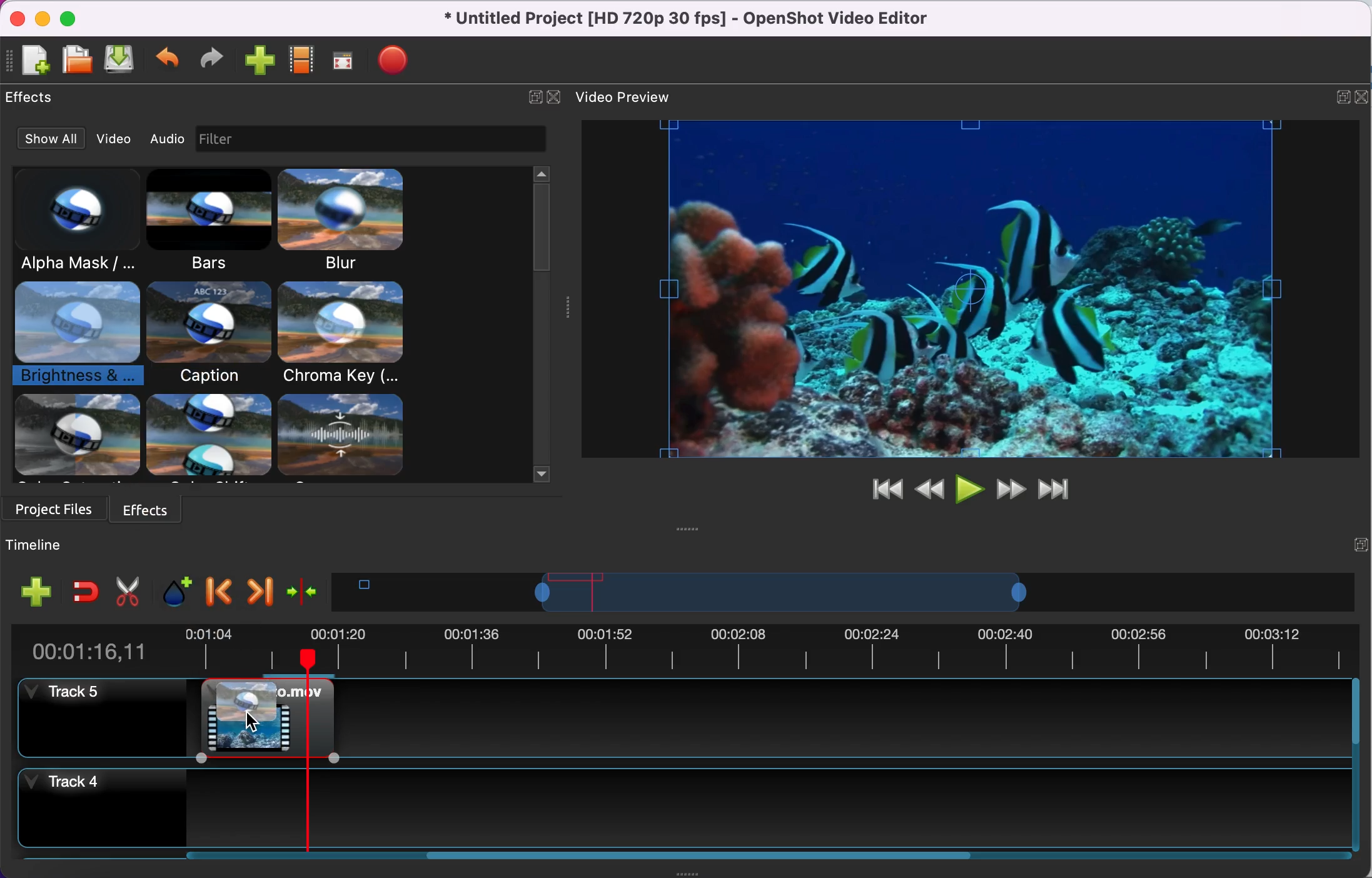 Image resolution: width=1372 pixels, height=878 pixels. Describe the element at coordinates (109, 138) in the screenshot. I see `video` at that location.